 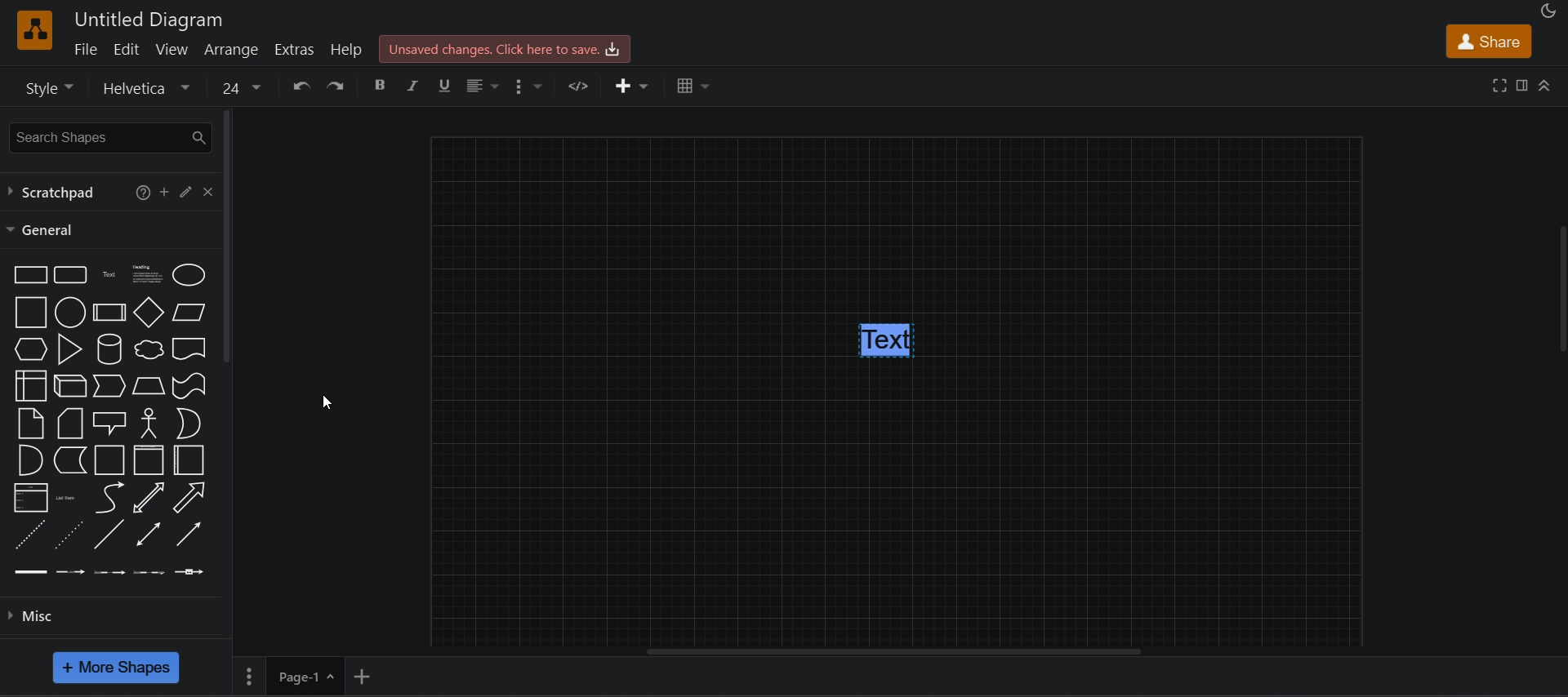 I want to click on close, so click(x=209, y=192).